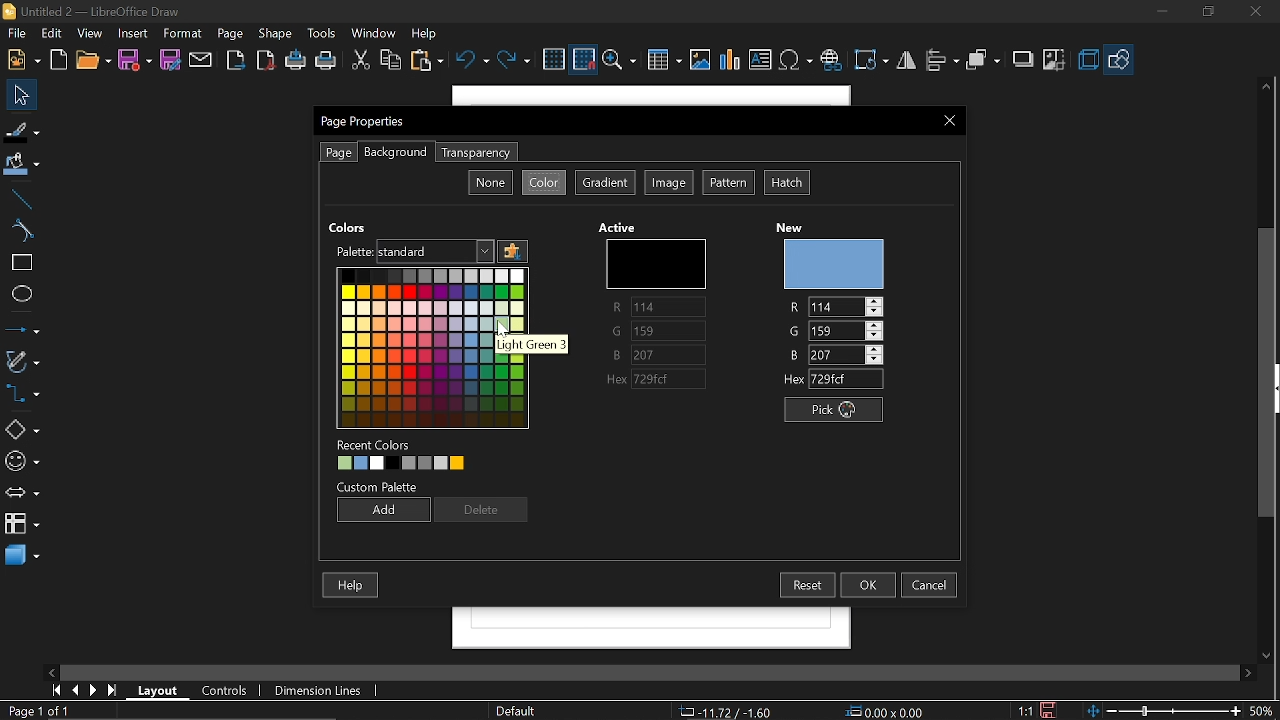  I want to click on B, so click(836, 354).